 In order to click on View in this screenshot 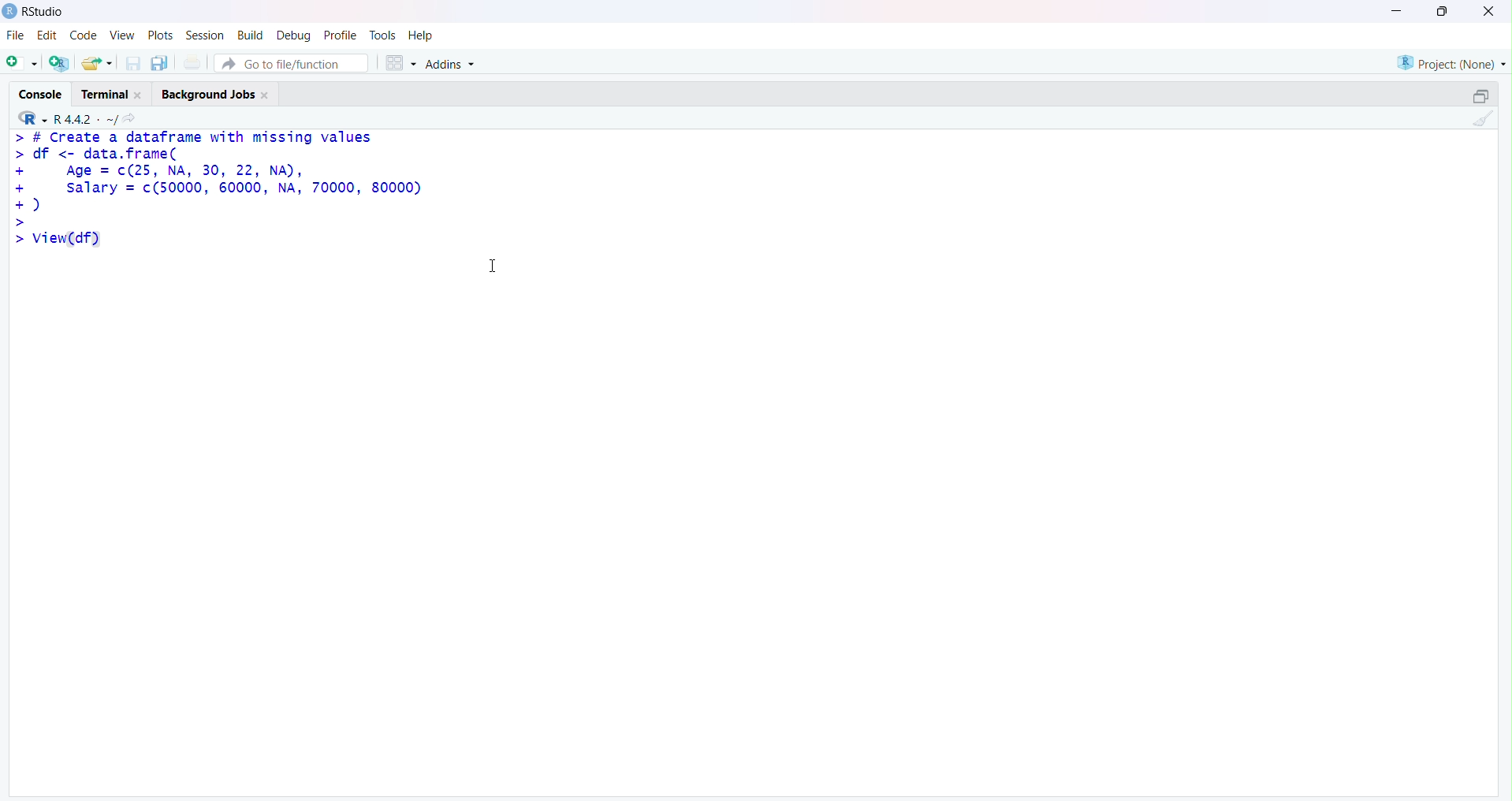, I will do `click(121, 36)`.